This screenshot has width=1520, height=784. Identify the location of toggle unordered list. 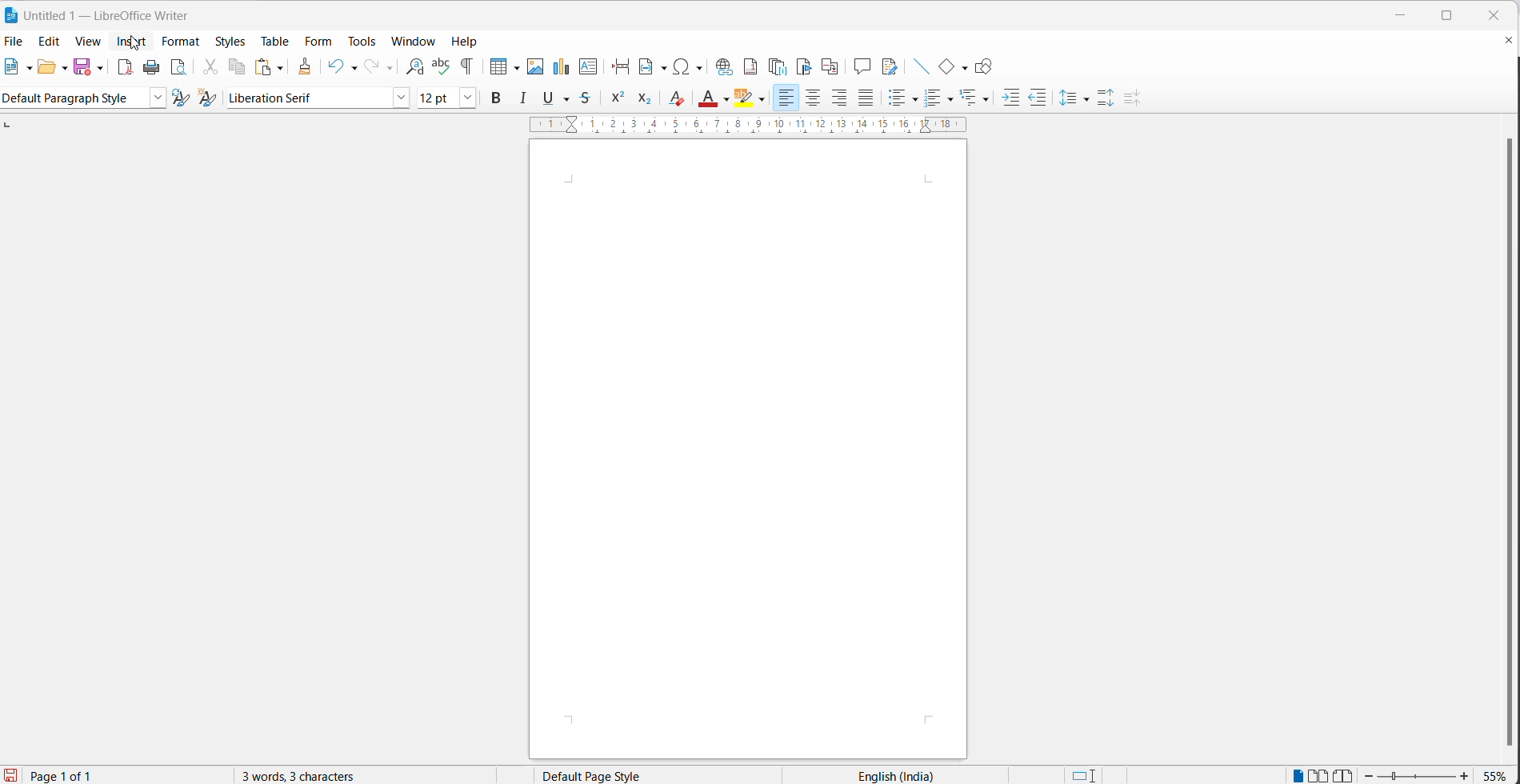
(934, 100).